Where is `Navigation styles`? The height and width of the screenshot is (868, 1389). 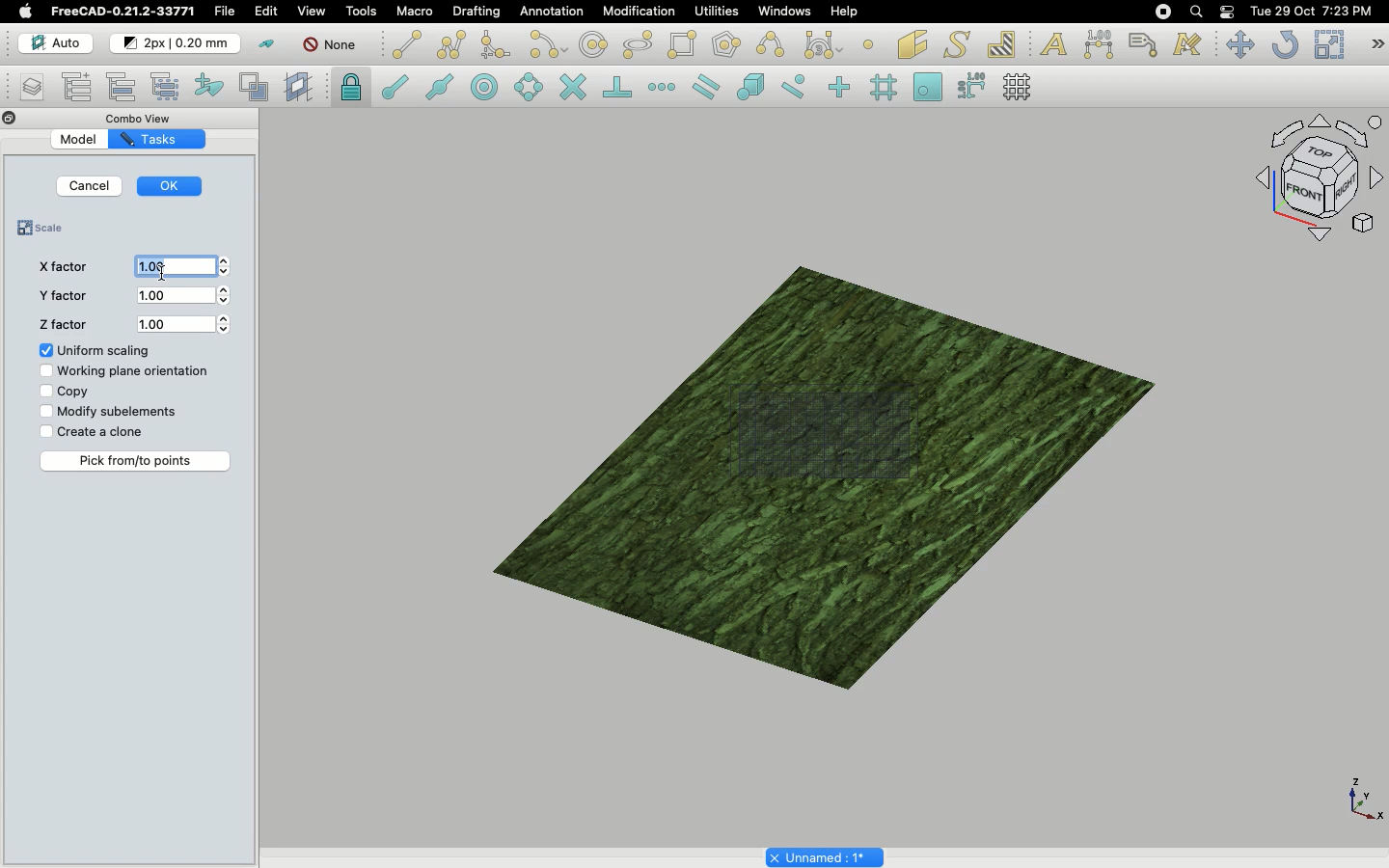 Navigation styles is located at coordinates (1315, 181).